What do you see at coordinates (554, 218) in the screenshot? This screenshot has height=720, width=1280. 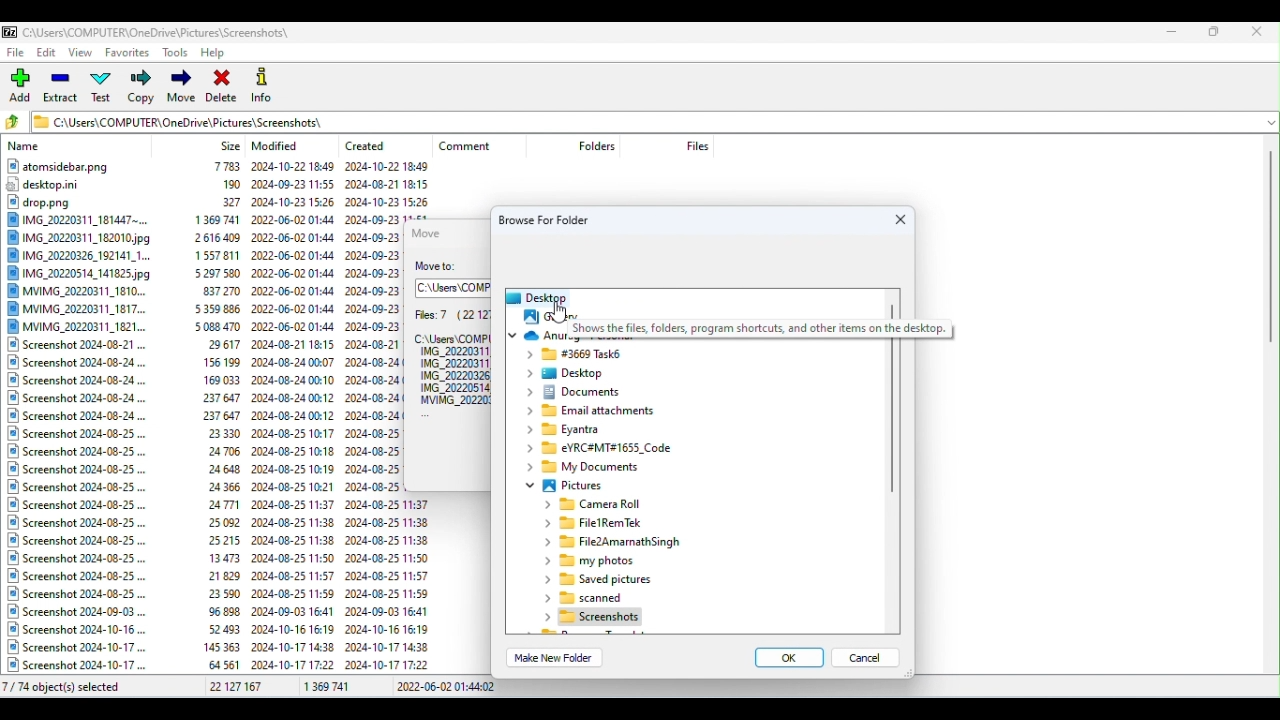 I see `Browse for folder` at bounding box center [554, 218].